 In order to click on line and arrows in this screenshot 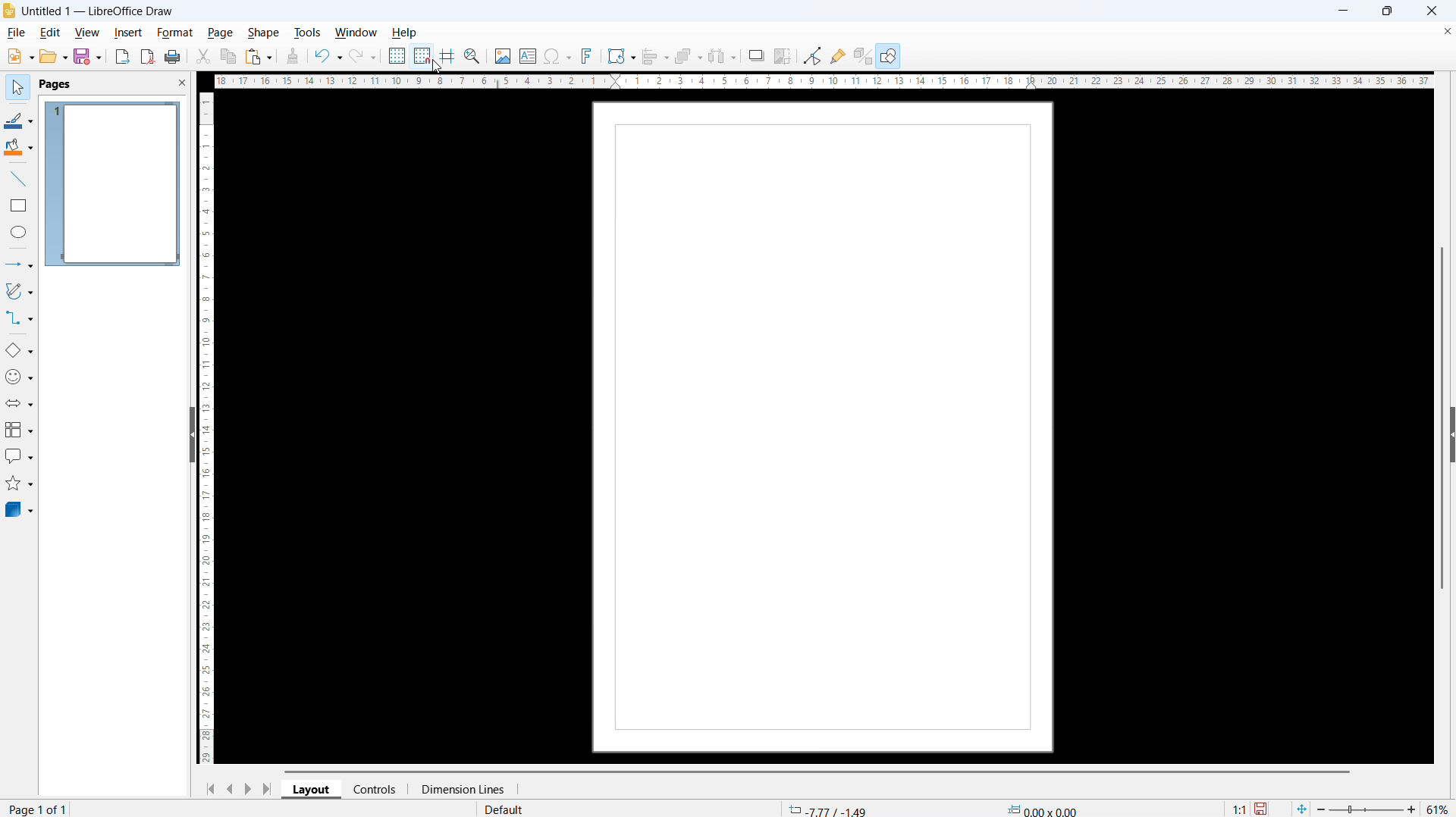, I will do `click(20, 264)`.